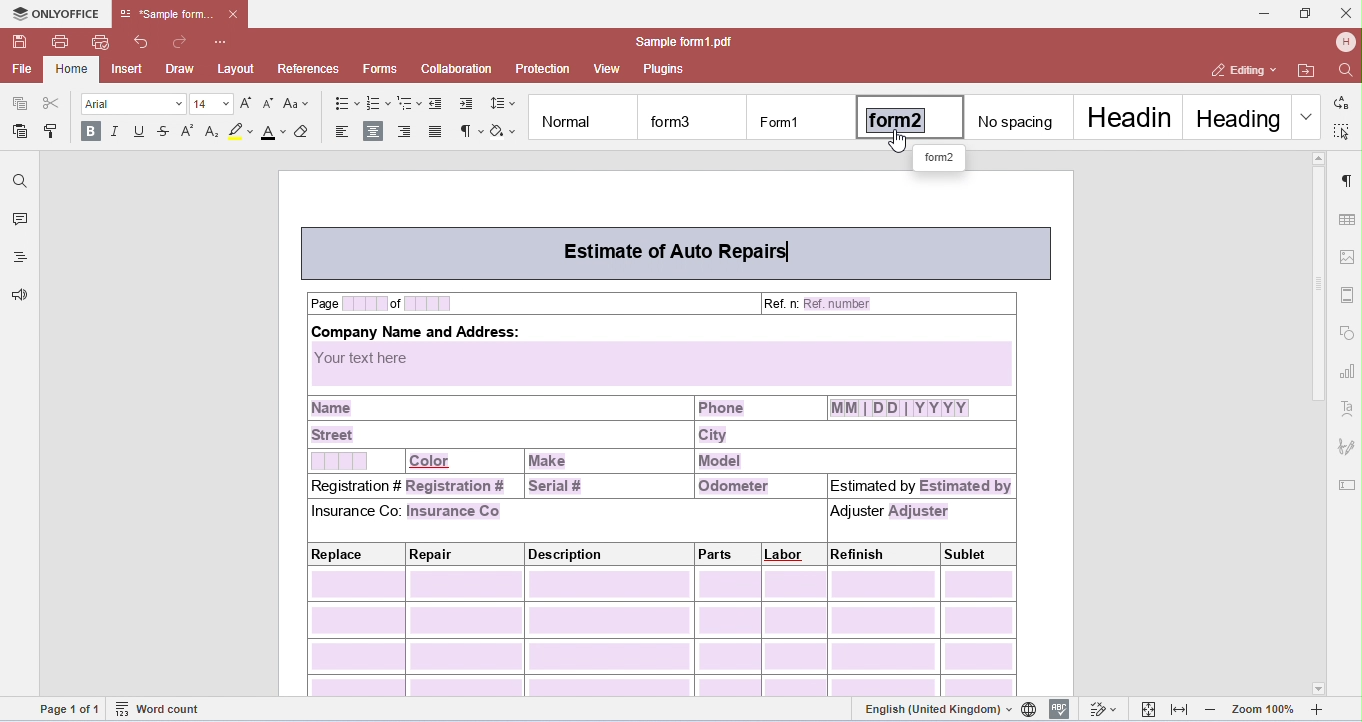 The width and height of the screenshot is (1362, 722). Describe the element at coordinates (665, 68) in the screenshot. I see `plugins` at that location.